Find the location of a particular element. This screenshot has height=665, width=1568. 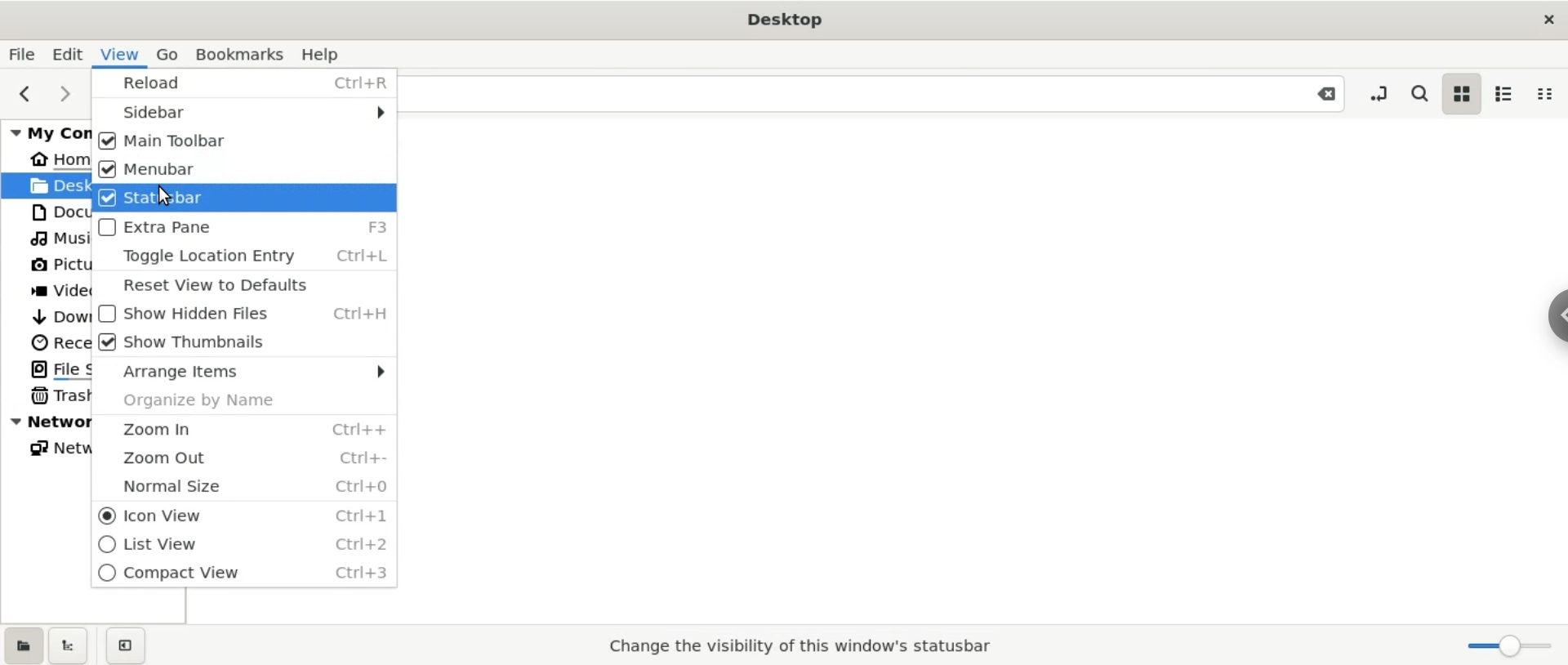

Zoom Out is located at coordinates (241, 457).